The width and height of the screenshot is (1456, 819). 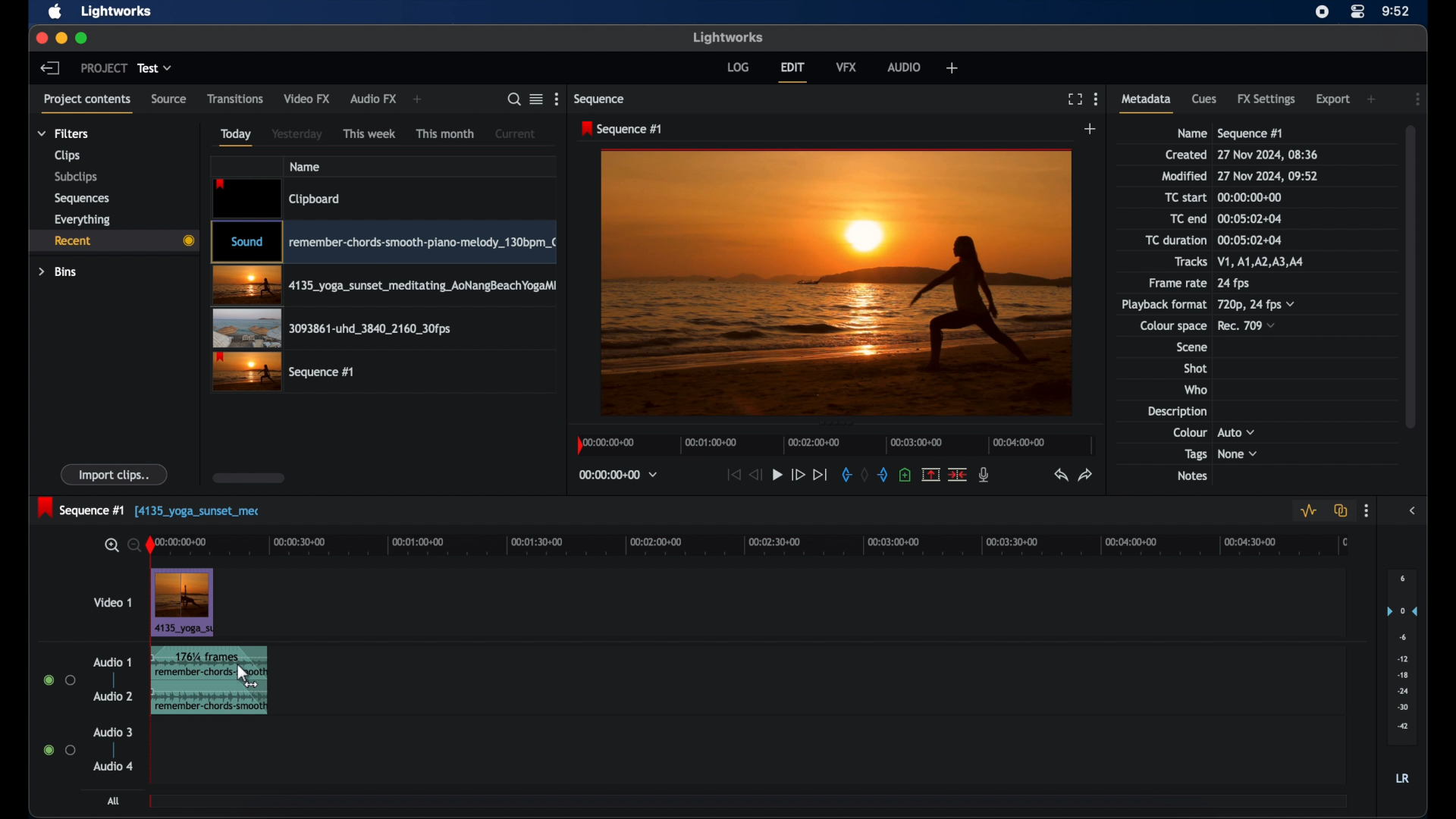 What do you see at coordinates (68, 155) in the screenshot?
I see `clips` at bounding box center [68, 155].